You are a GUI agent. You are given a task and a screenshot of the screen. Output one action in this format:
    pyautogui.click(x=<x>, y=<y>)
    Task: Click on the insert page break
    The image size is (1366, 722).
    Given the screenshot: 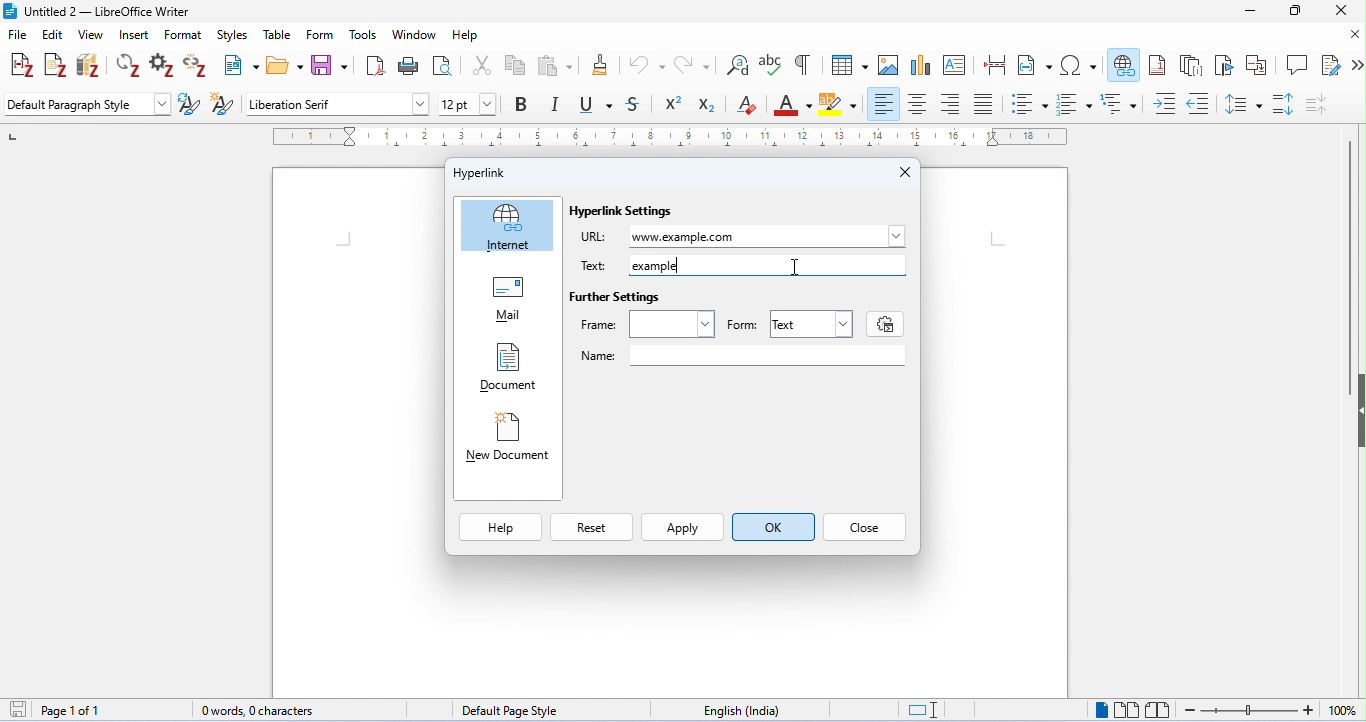 What is the action you would take?
    pyautogui.click(x=995, y=64)
    